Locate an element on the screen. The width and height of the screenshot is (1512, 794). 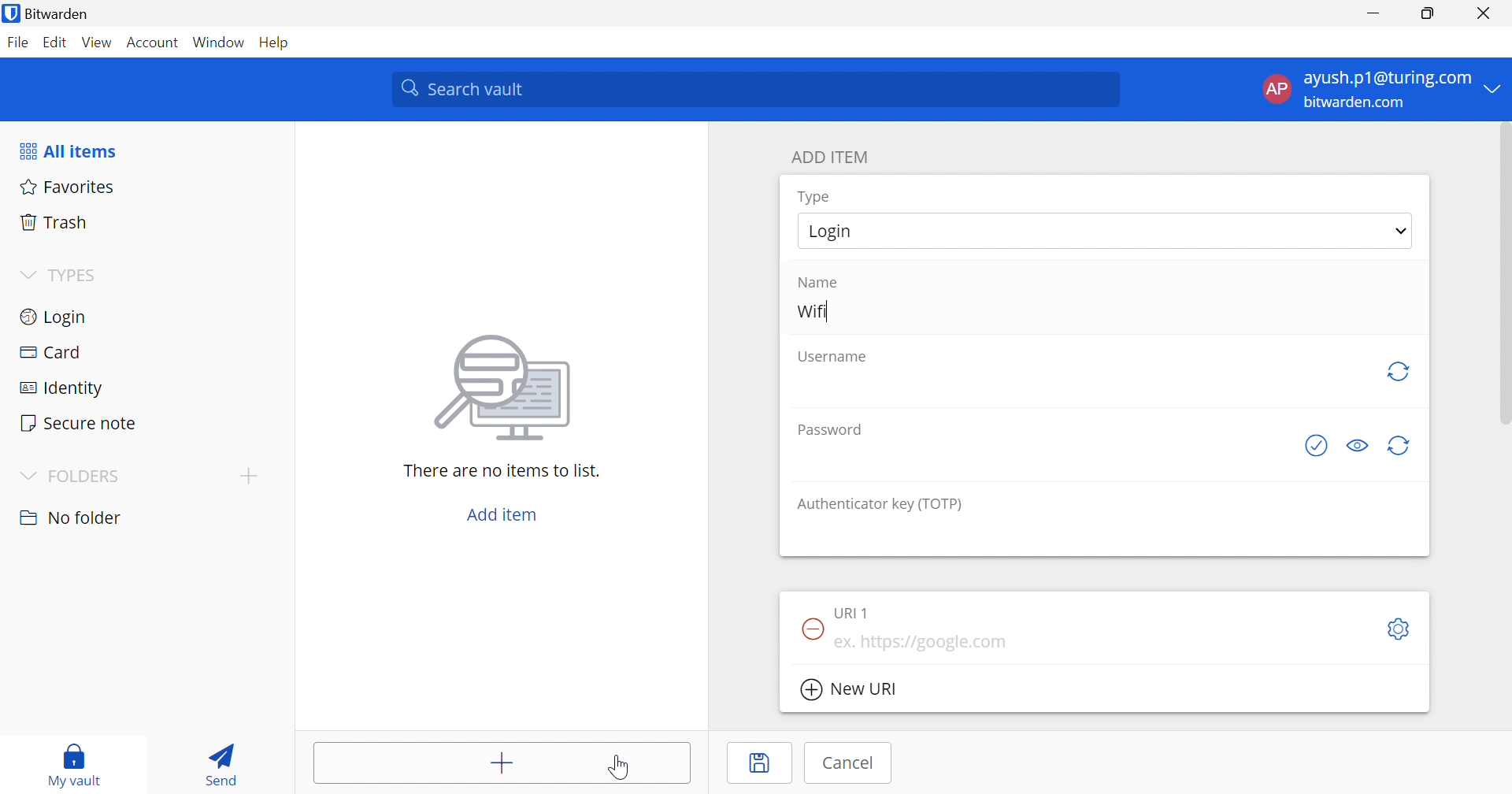
Help is located at coordinates (278, 42).